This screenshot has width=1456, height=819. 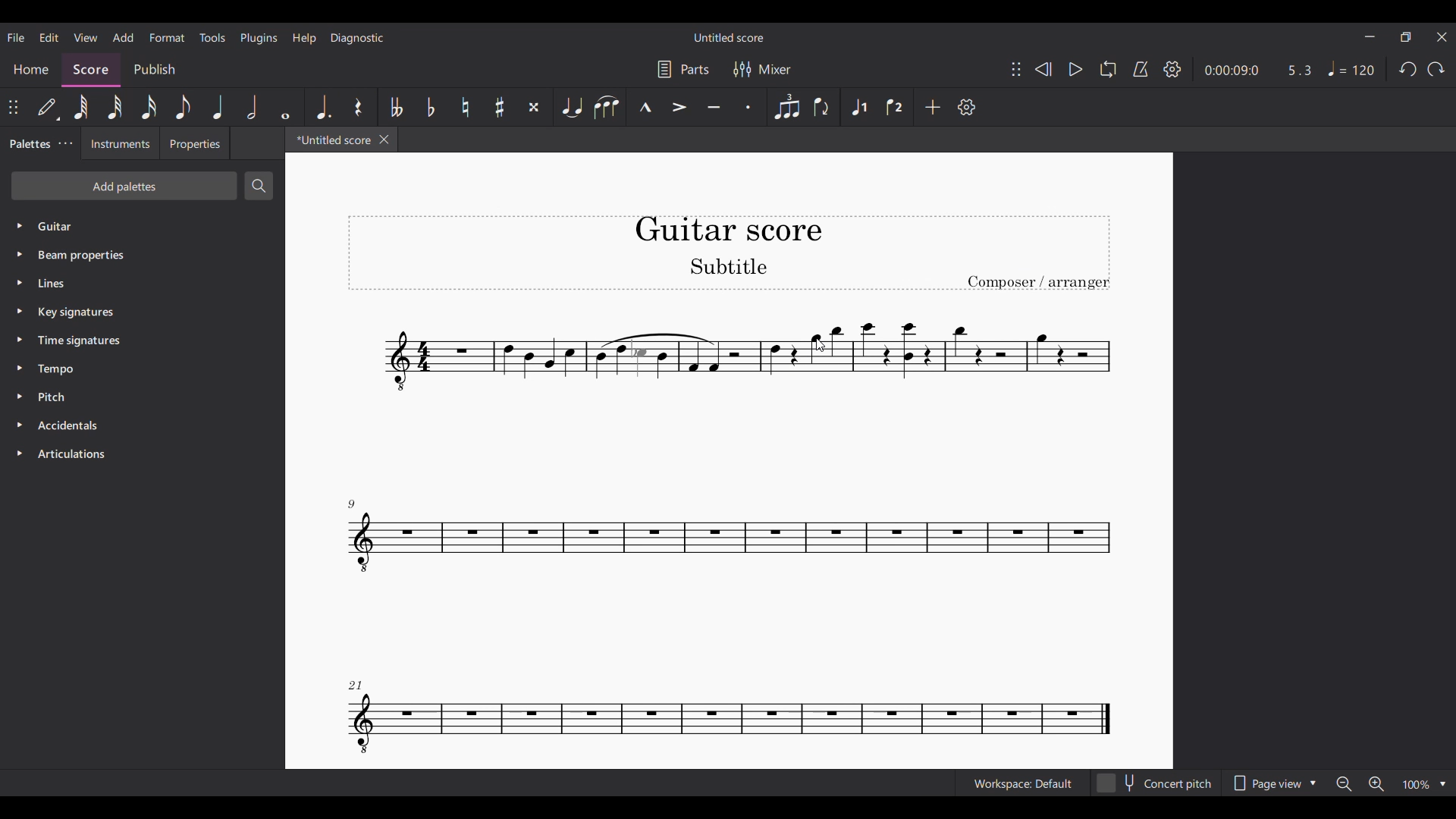 What do you see at coordinates (1407, 69) in the screenshot?
I see `Undo` at bounding box center [1407, 69].